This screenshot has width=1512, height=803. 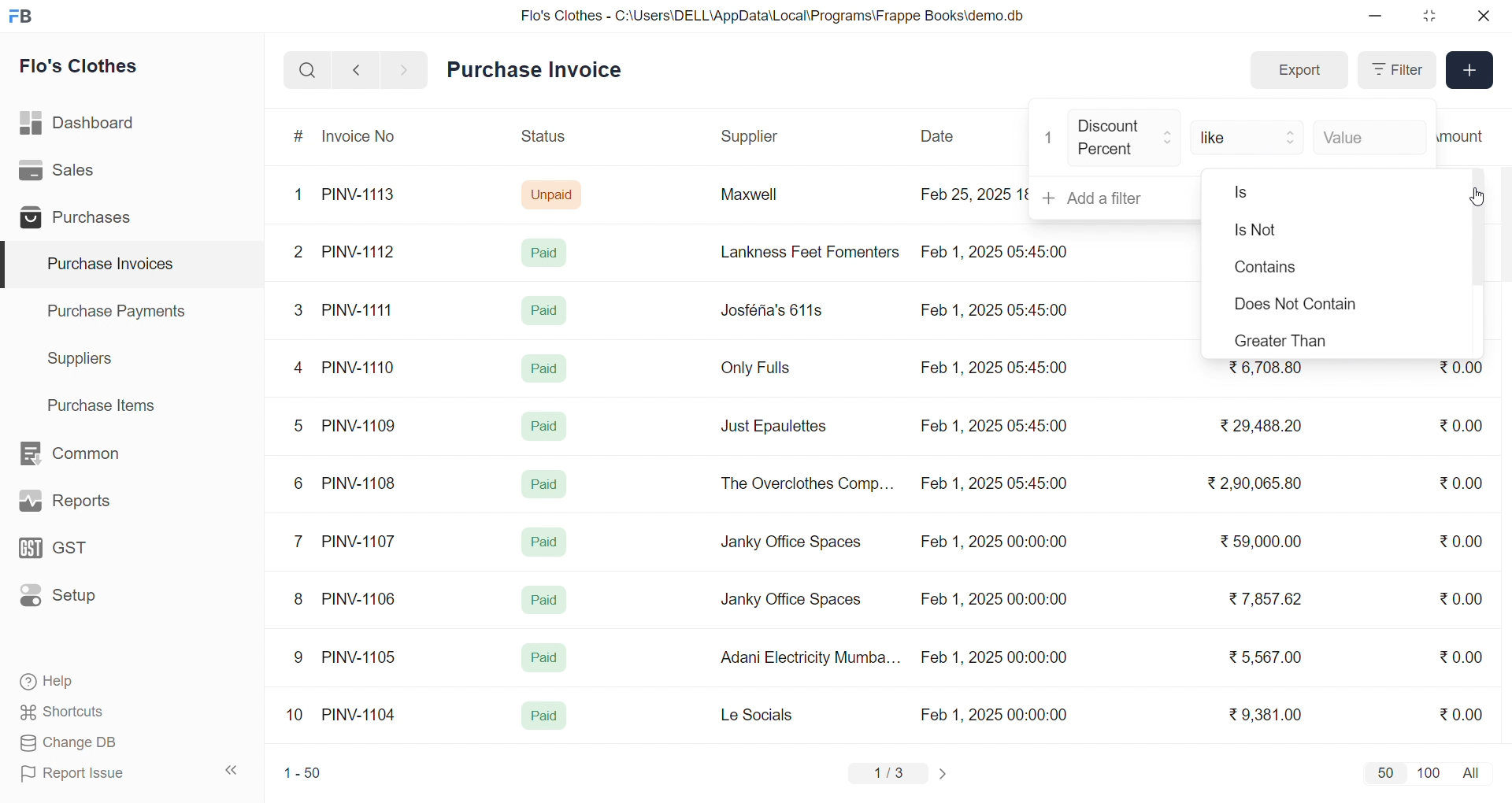 I want to click on 4, so click(x=302, y=368).